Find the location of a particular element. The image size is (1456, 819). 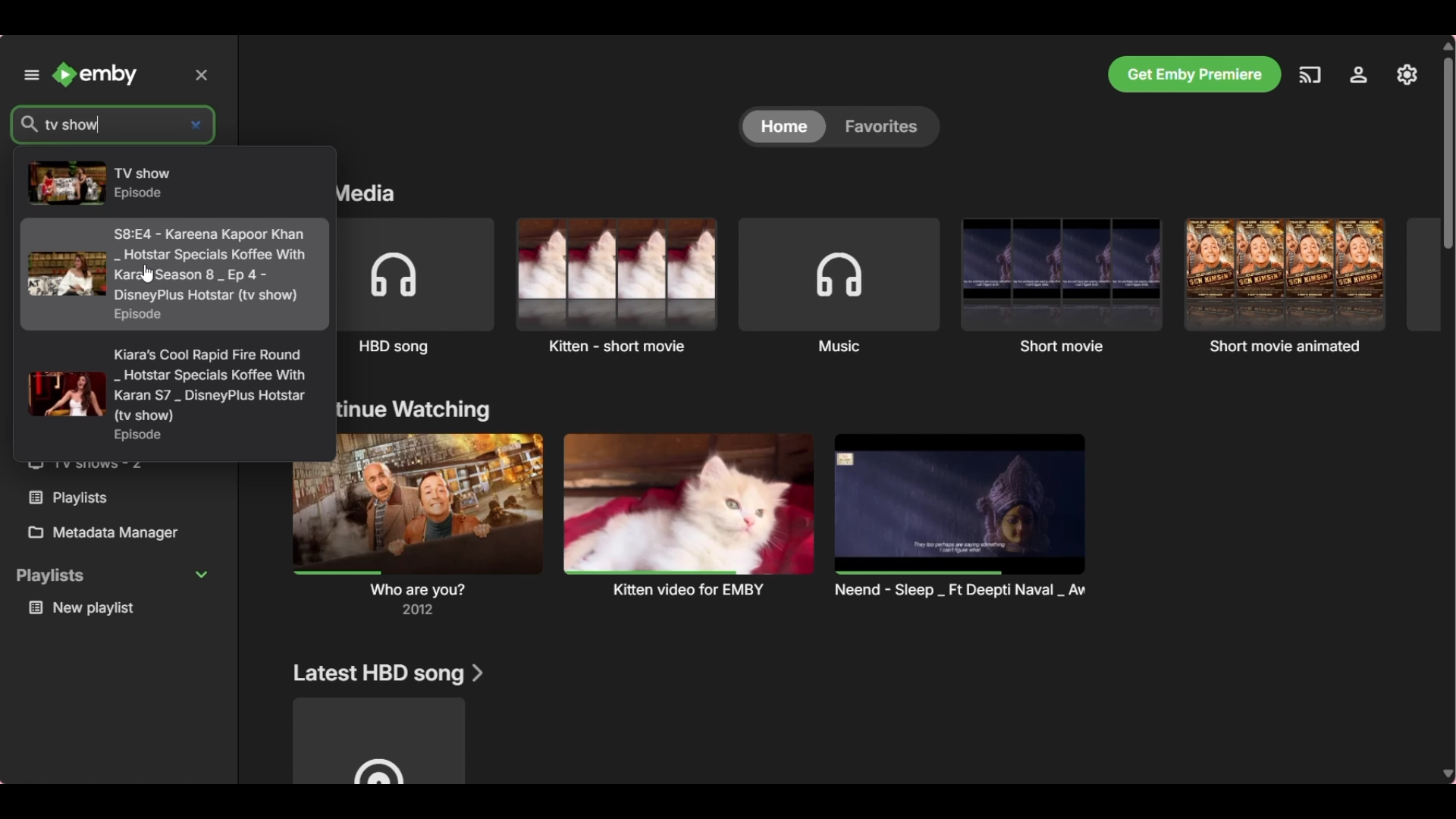

Collapse Playlists is located at coordinates (111, 576).